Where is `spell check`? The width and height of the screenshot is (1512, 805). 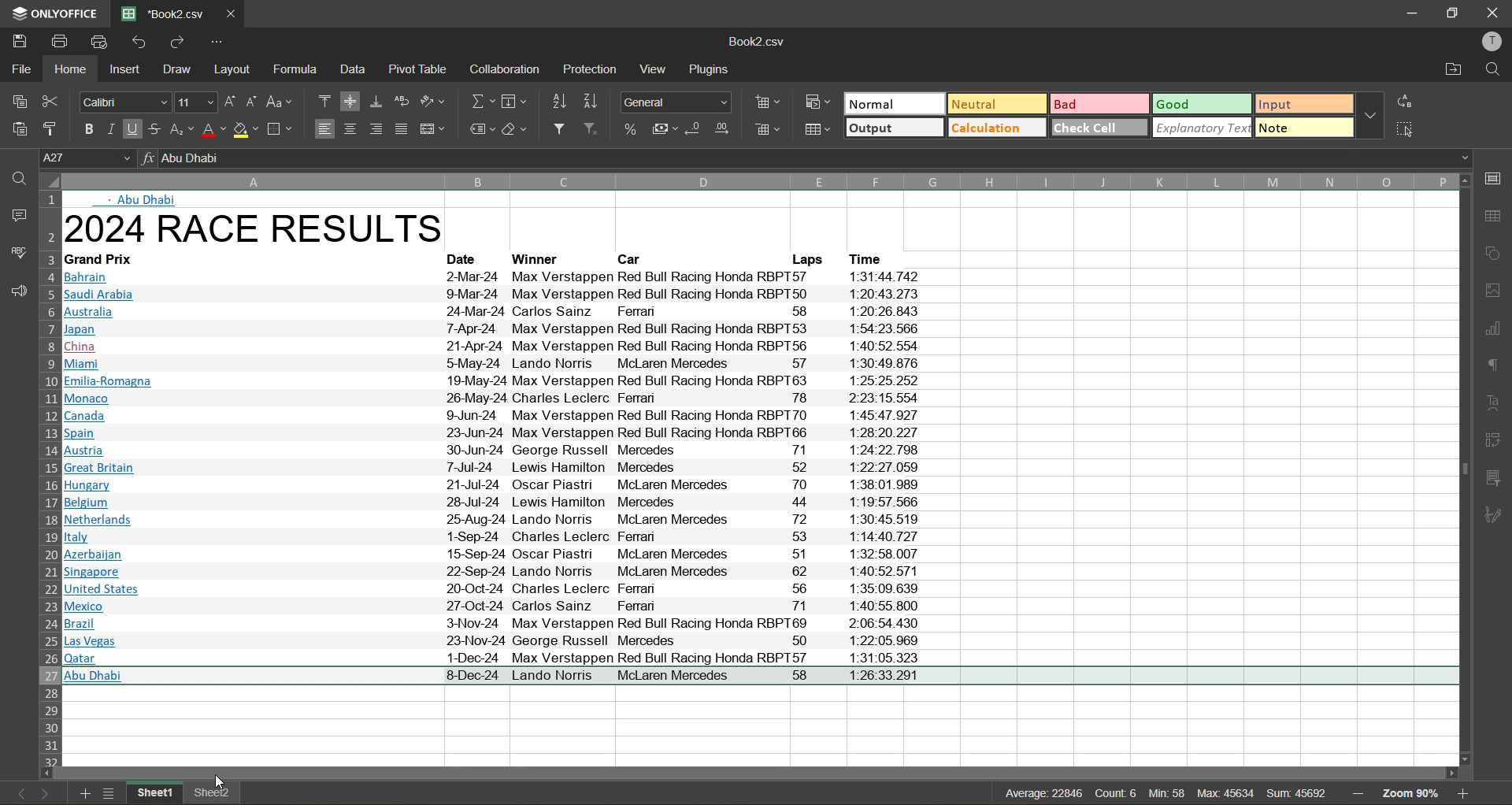 spell check is located at coordinates (17, 250).